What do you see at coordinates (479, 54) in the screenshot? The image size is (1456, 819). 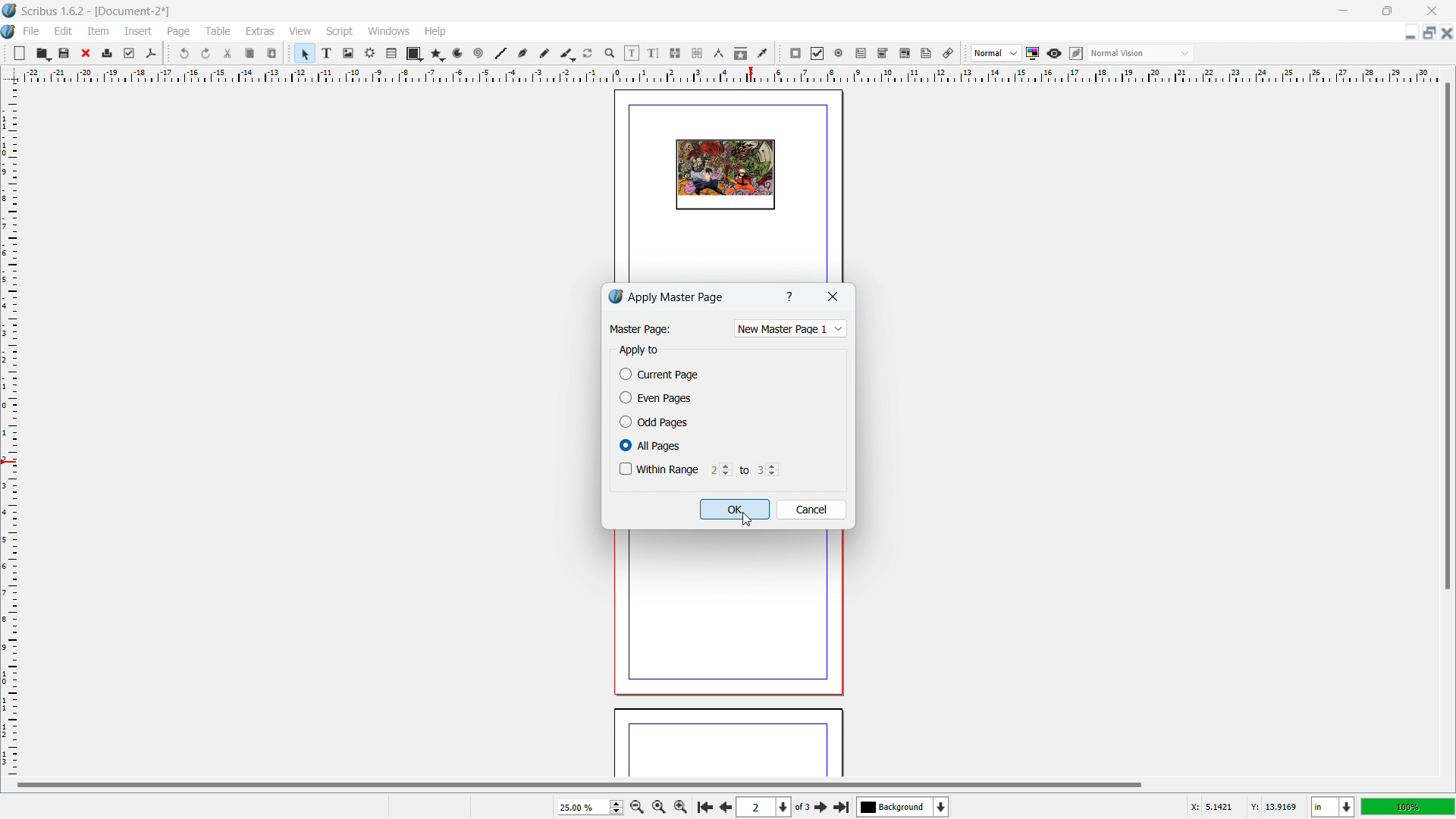 I see `spirals` at bounding box center [479, 54].